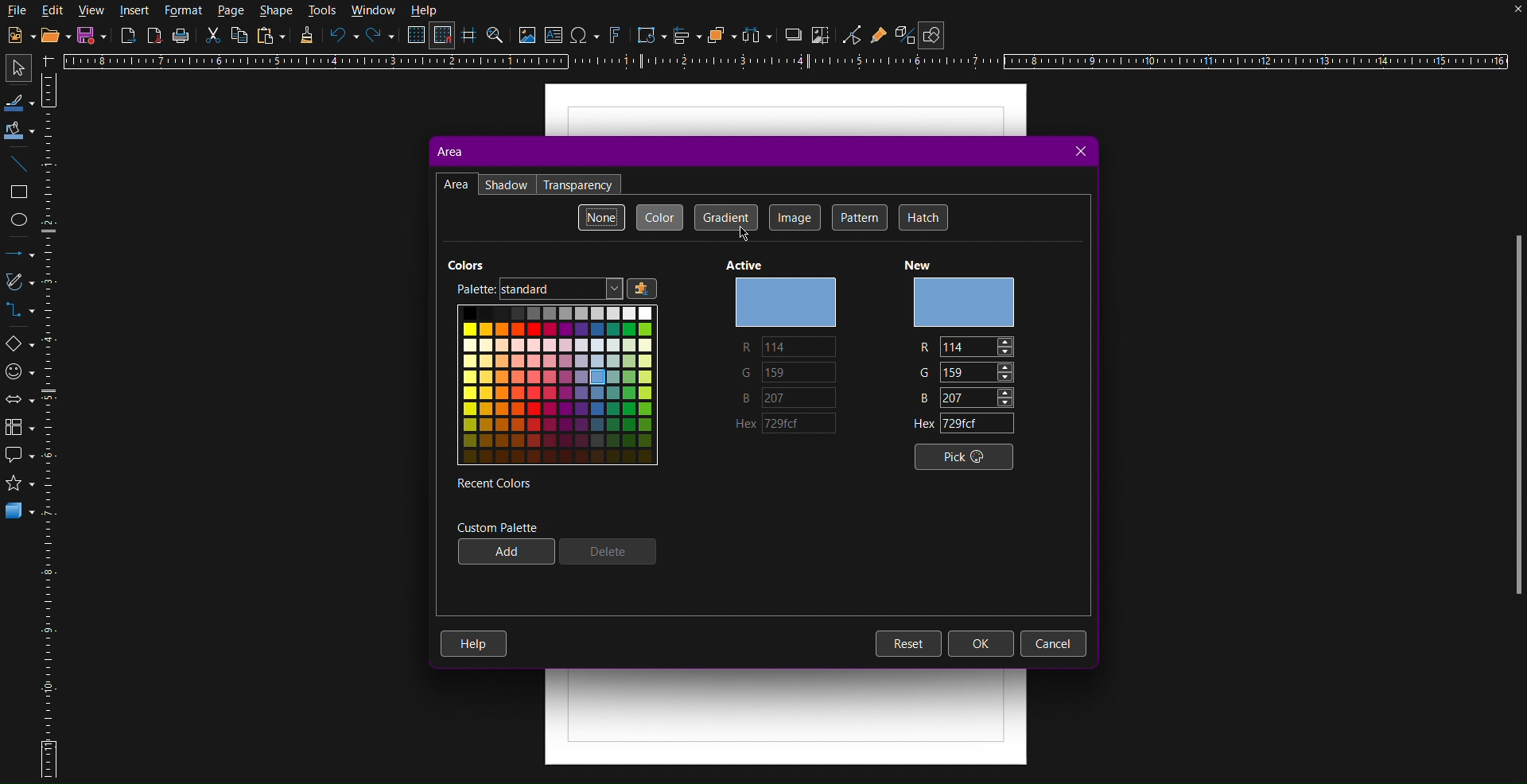  I want to click on Insert Special Character, so click(588, 35).